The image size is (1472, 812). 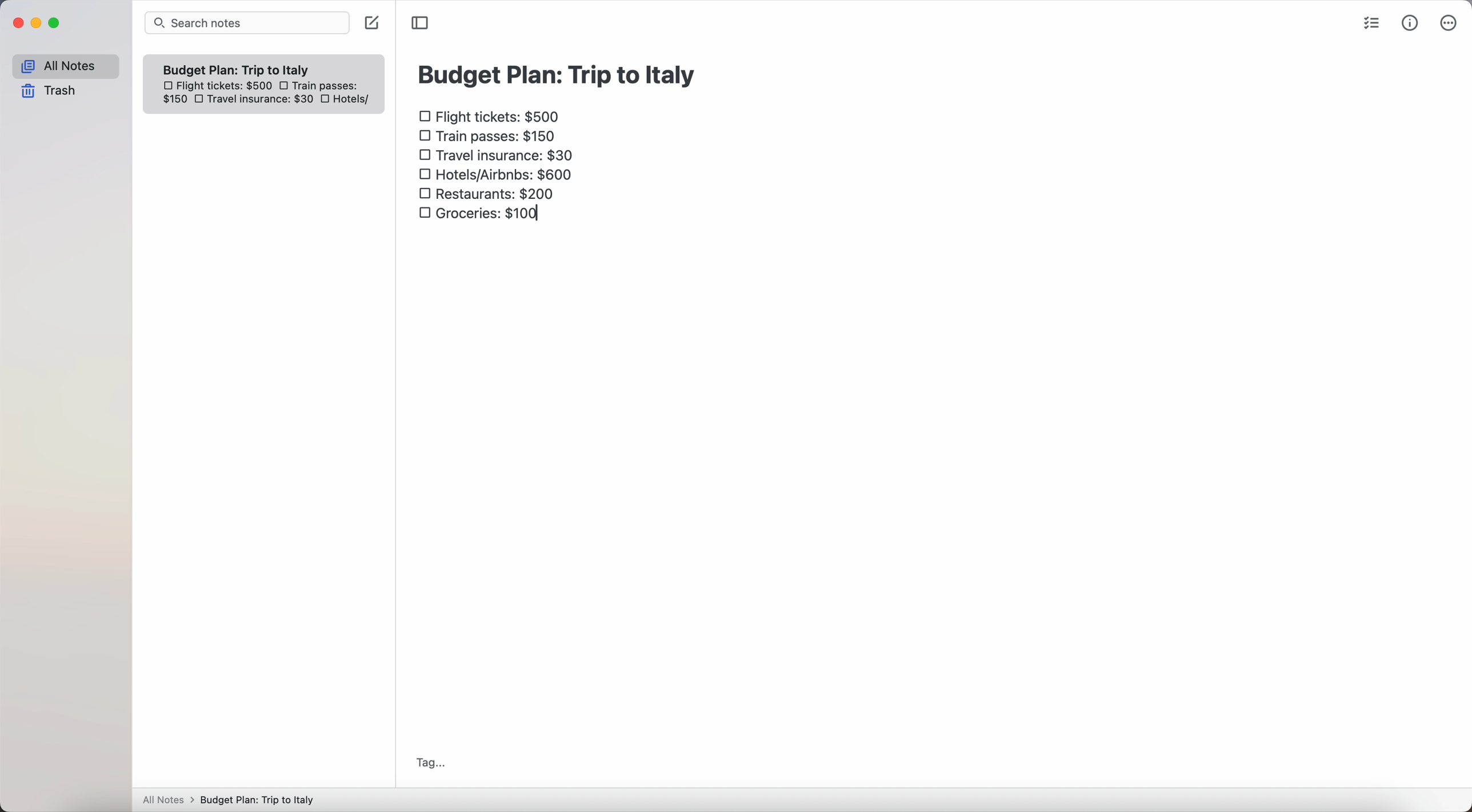 I want to click on maximize, so click(x=57, y=23).